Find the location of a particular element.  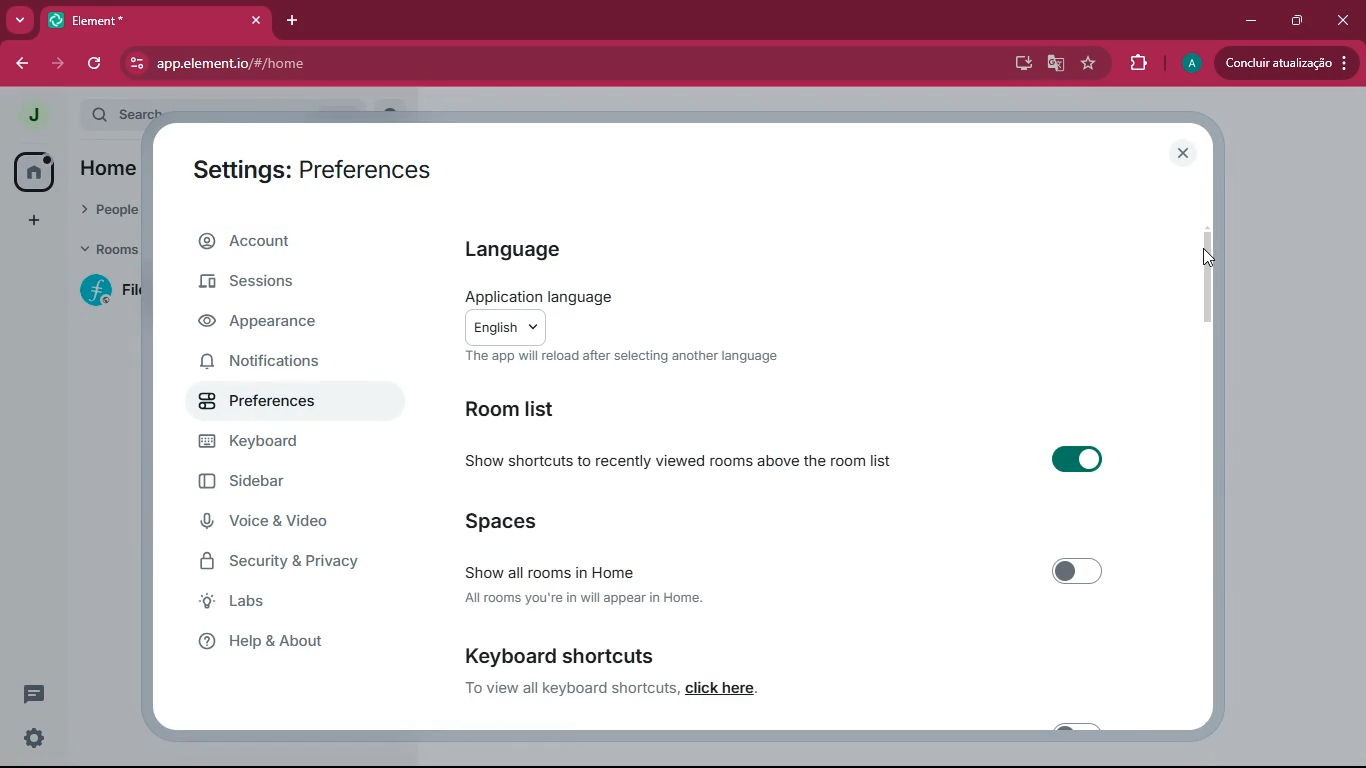

search is located at coordinates (130, 111).